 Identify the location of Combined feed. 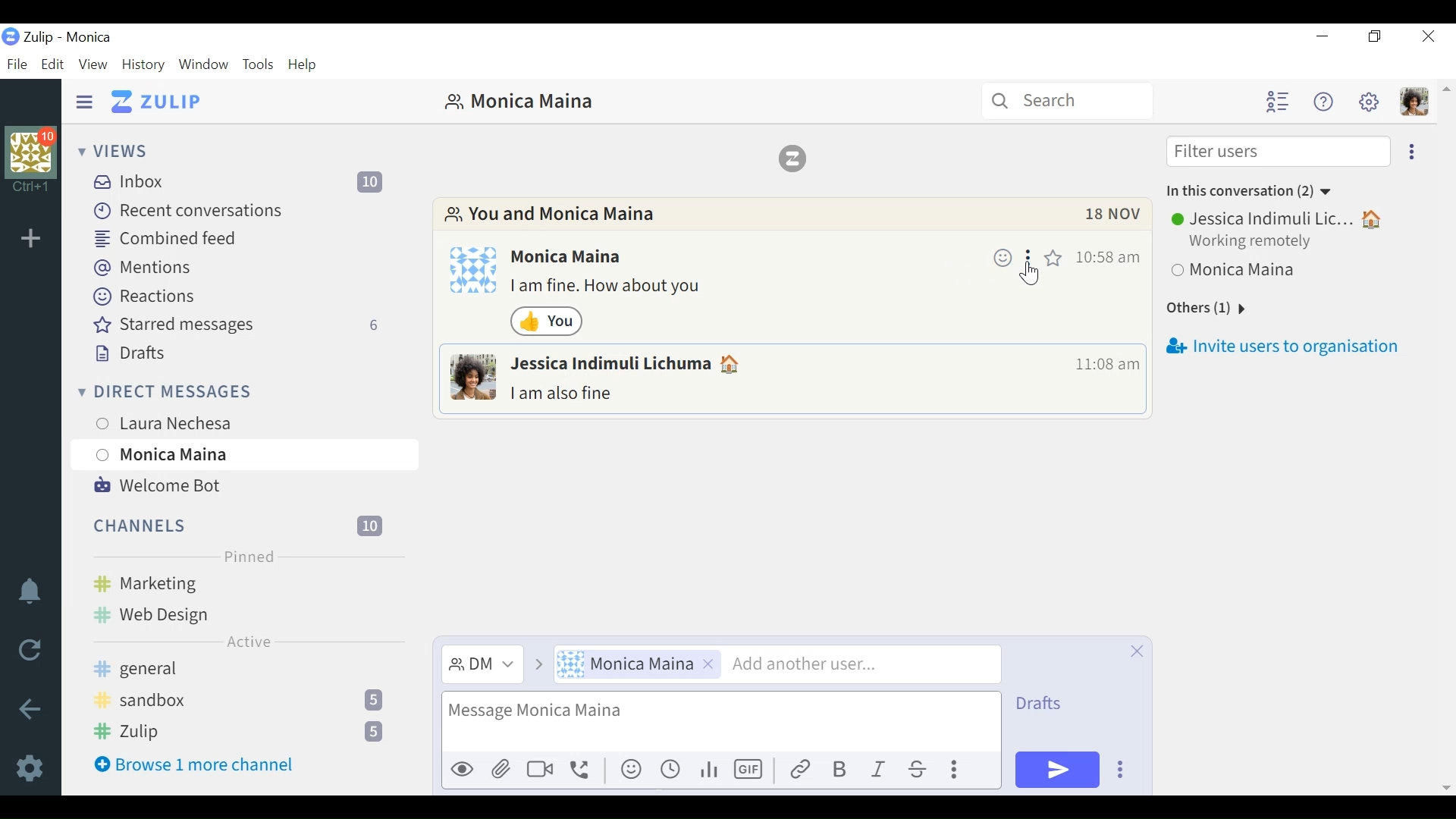
(162, 237).